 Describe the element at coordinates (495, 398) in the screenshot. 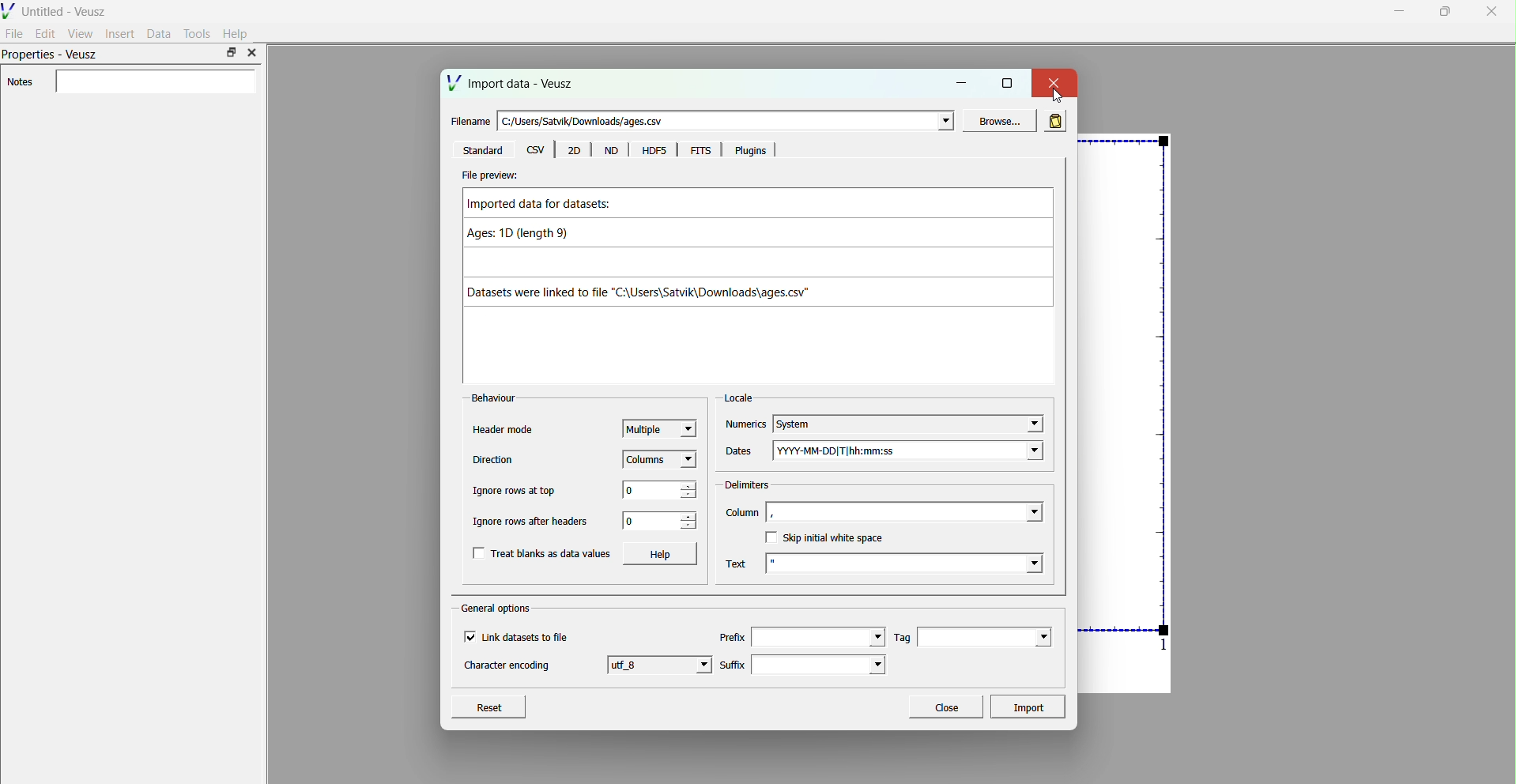

I see `Behaviour` at that location.